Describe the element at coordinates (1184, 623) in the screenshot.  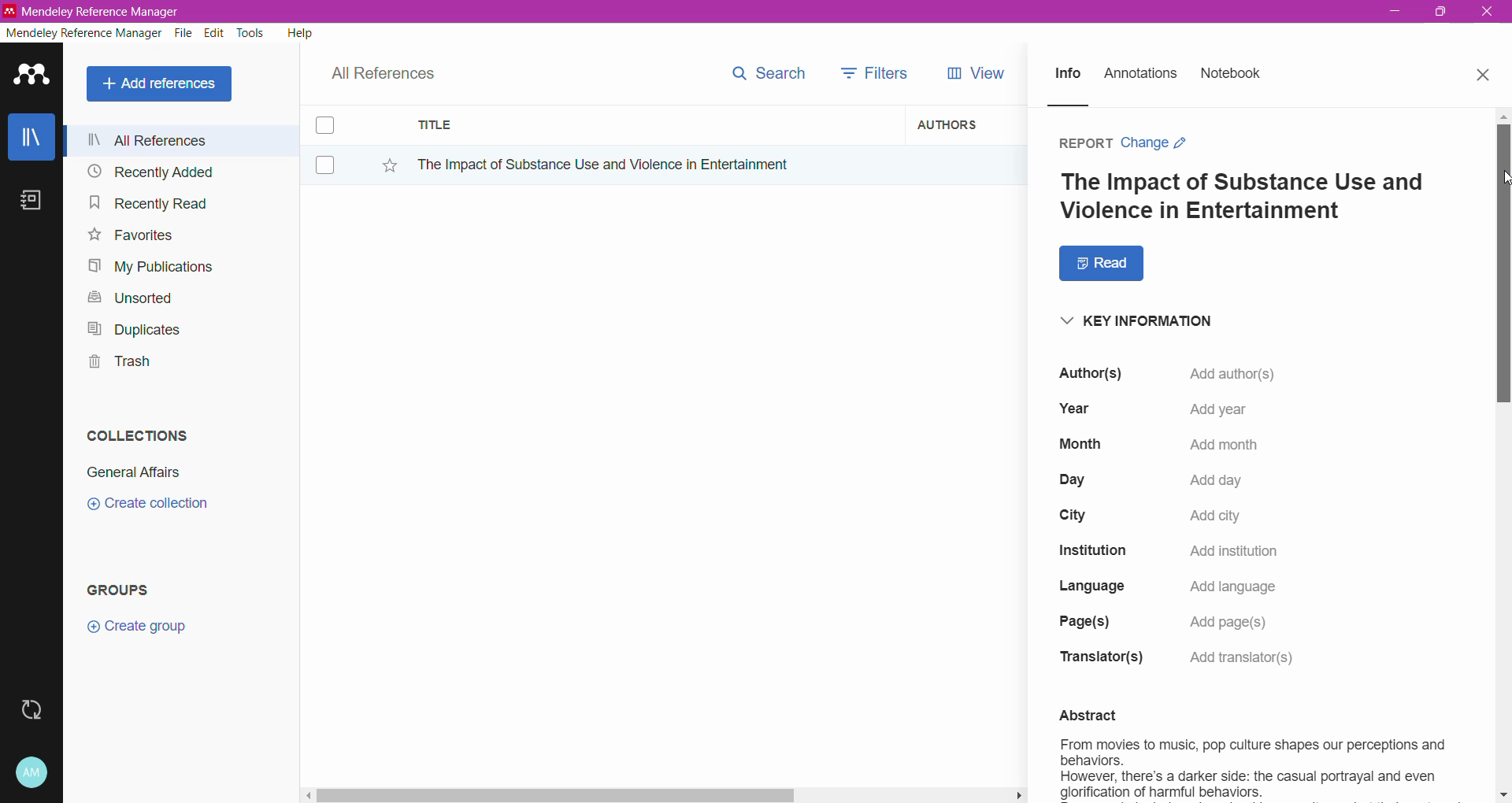
I see `page` at that location.